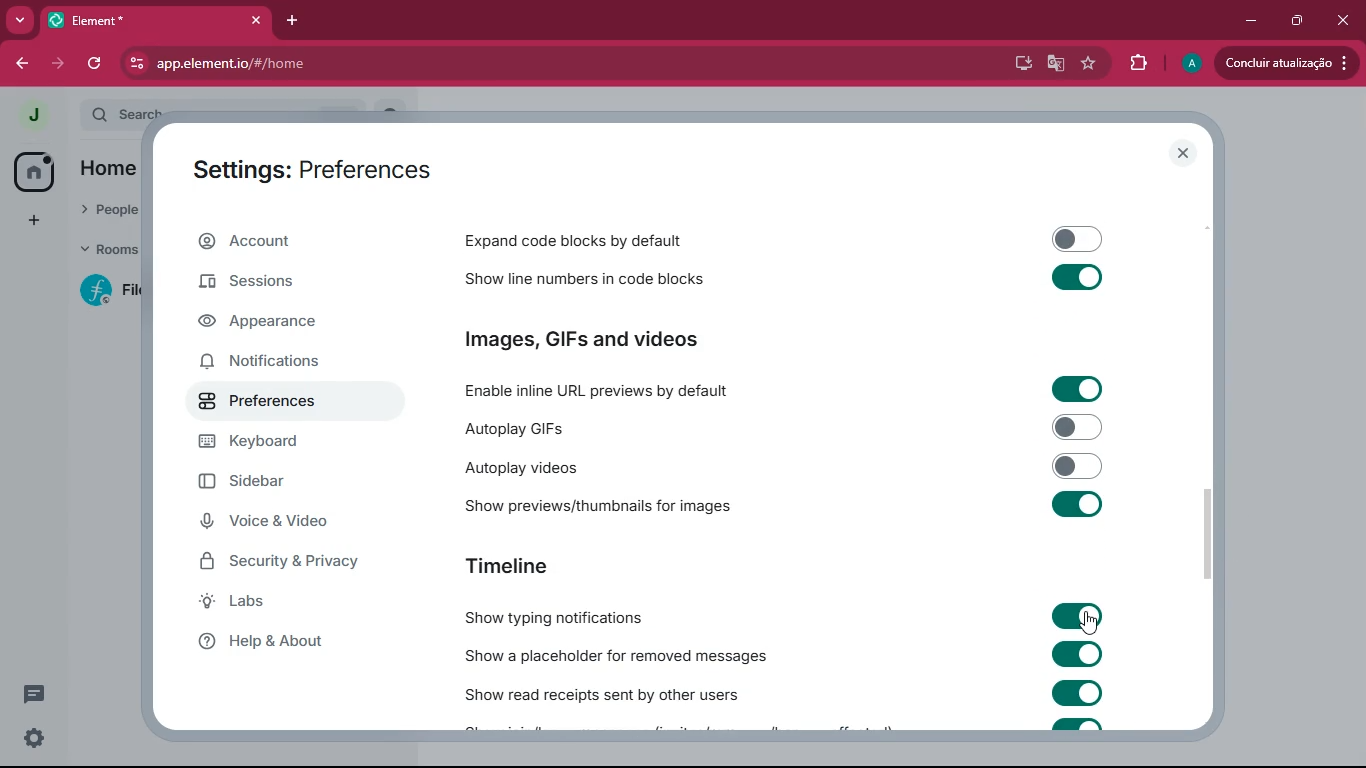 This screenshot has width=1366, height=768. I want to click on extensions, so click(1139, 63).